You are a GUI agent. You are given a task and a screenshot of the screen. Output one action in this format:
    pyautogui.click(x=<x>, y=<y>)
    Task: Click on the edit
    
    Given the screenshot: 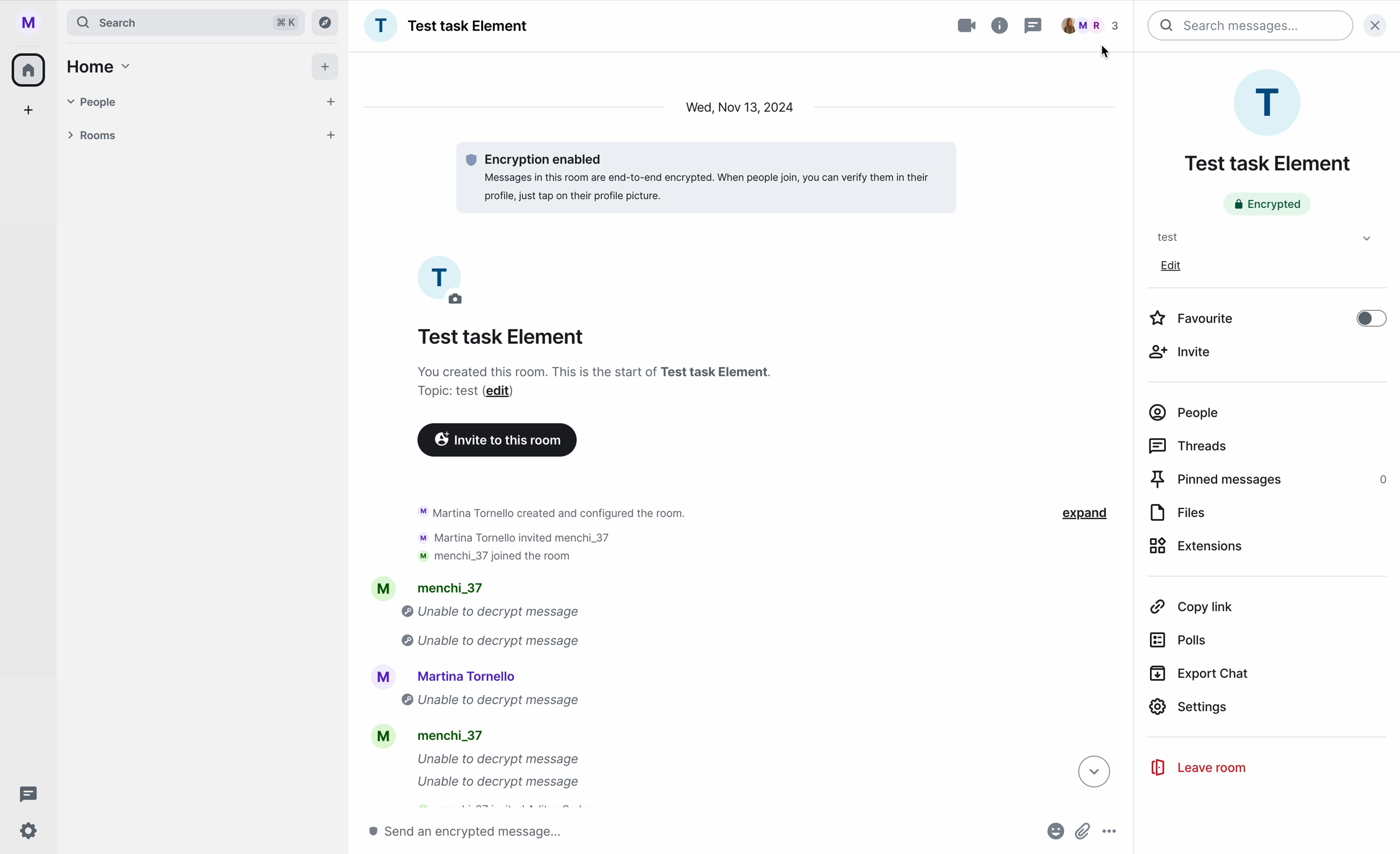 What is the action you would take?
    pyautogui.click(x=1172, y=265)
    